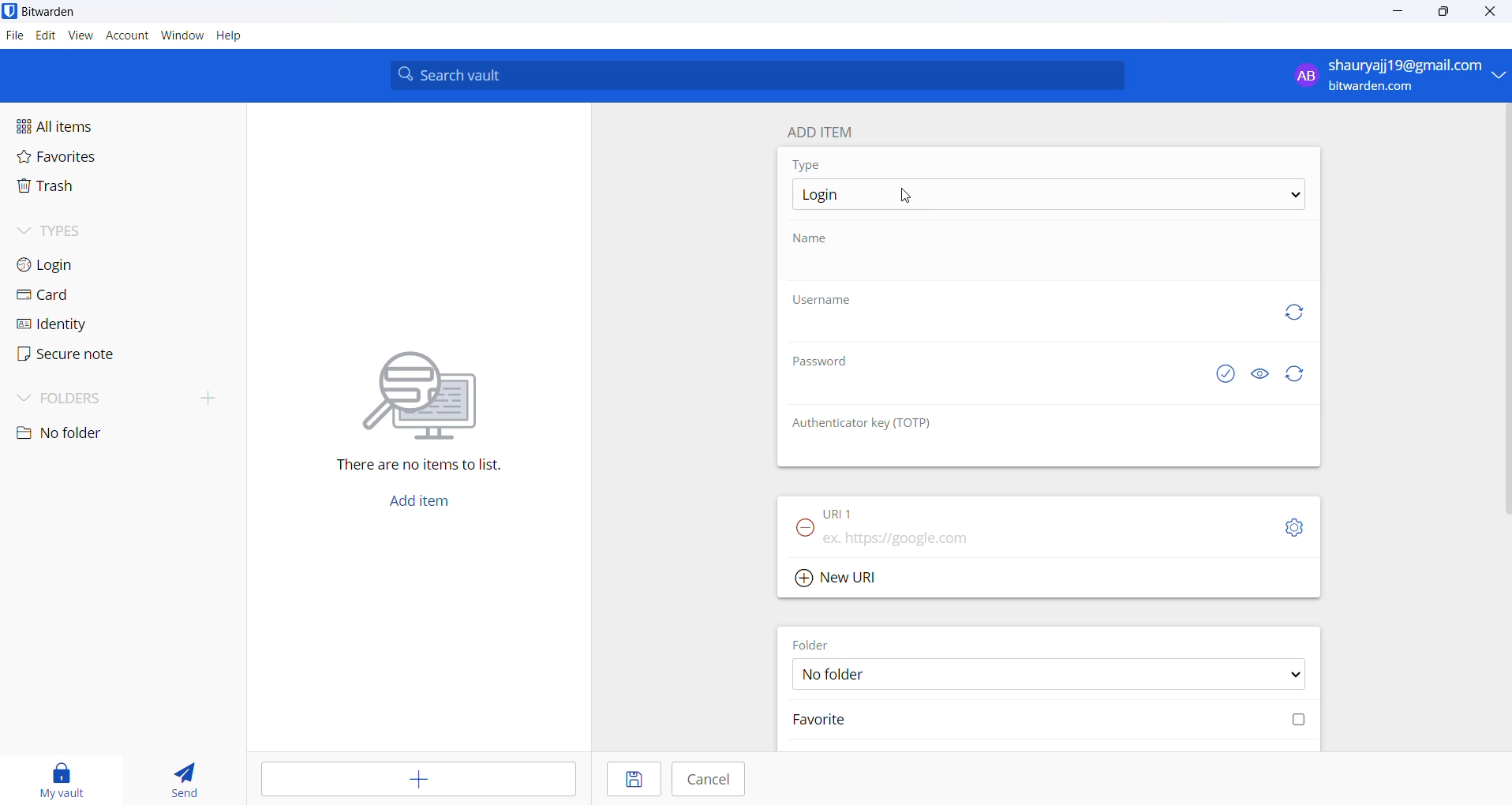  What do you see at coordinates (908, 196) in the screenshot?
I see `cursor` at bounding box center [908, 196].